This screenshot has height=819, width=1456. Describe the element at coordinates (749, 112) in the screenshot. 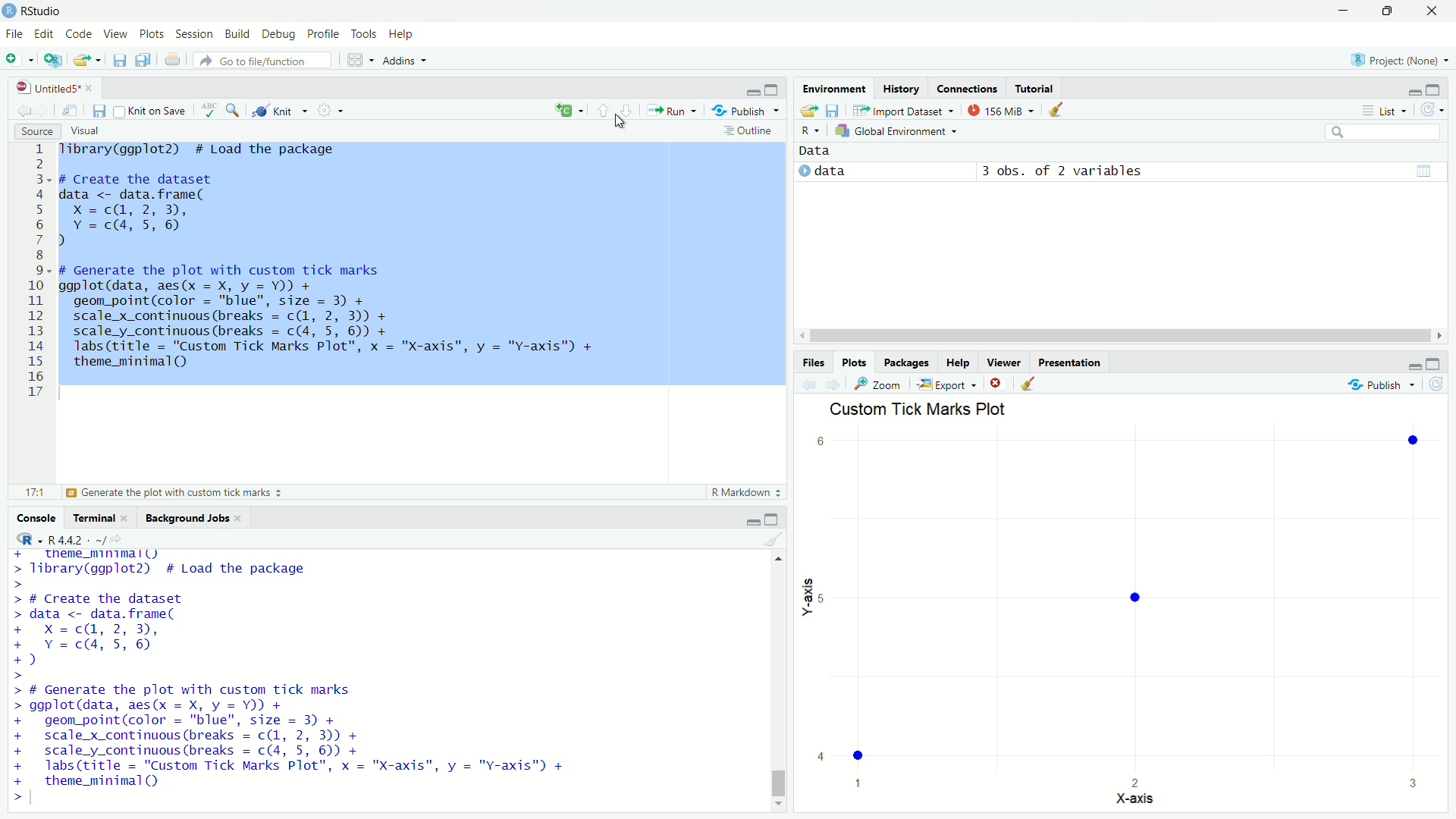

I see `publish` at that location.